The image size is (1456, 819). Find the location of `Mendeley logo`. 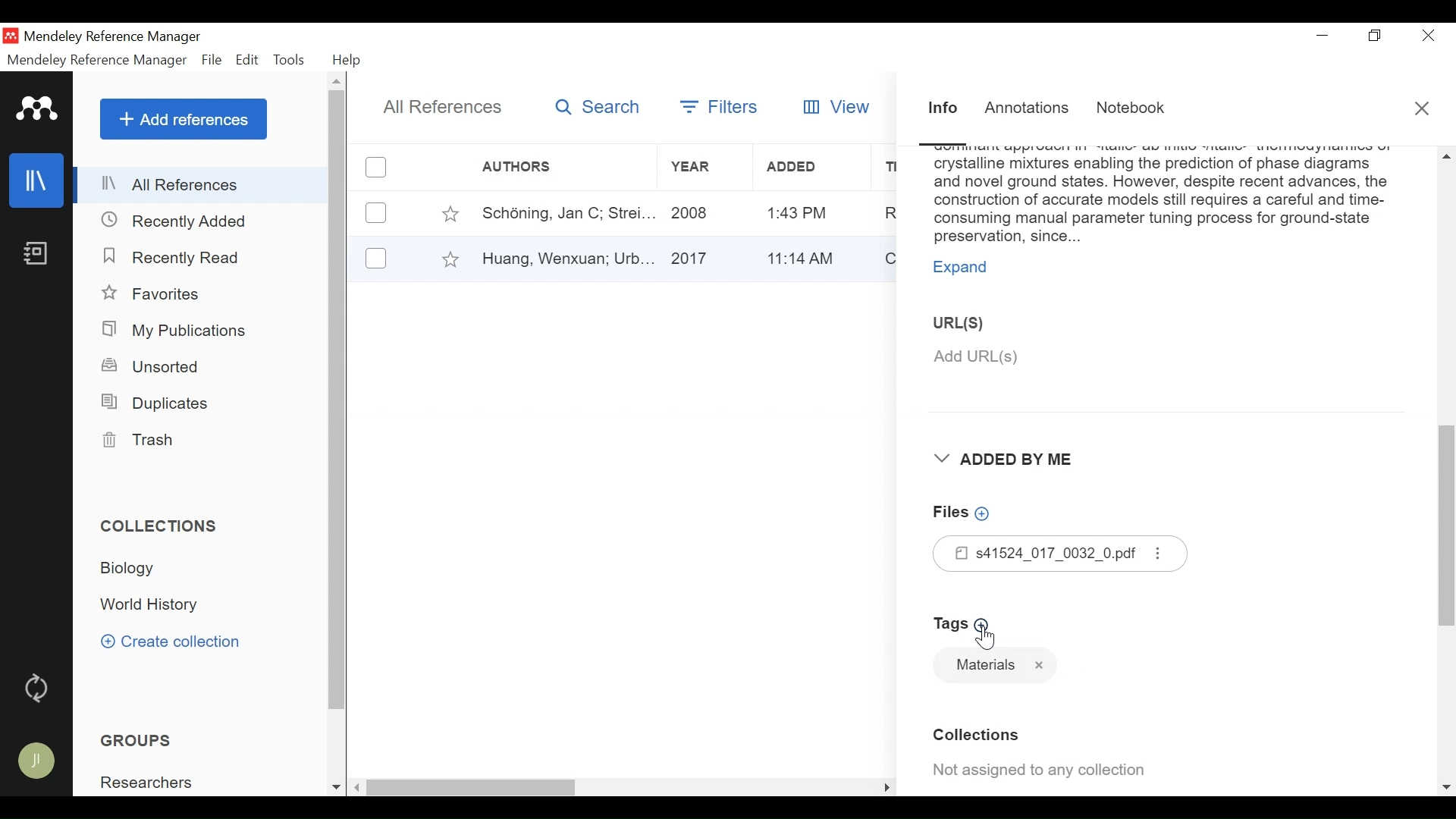

Mendeley logo is located at coordinates (39, 109).